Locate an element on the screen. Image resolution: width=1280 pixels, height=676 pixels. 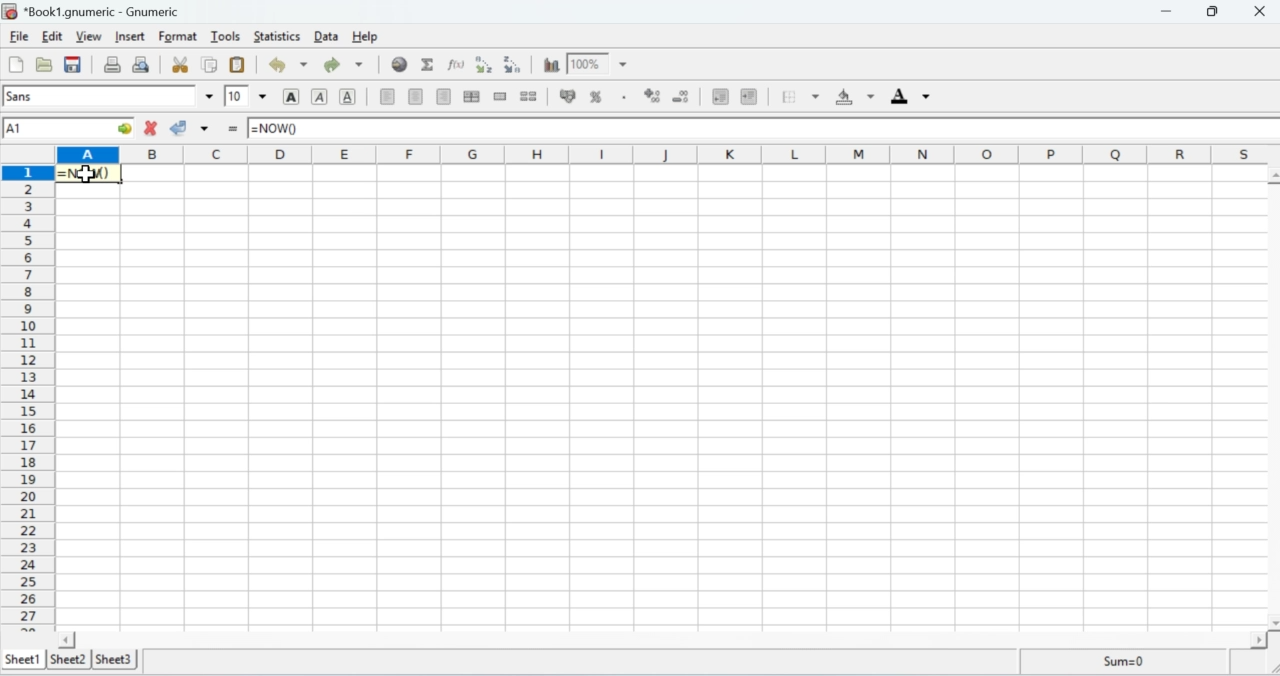
Centre horizontally in the selection is located at coordinates (474, 98).